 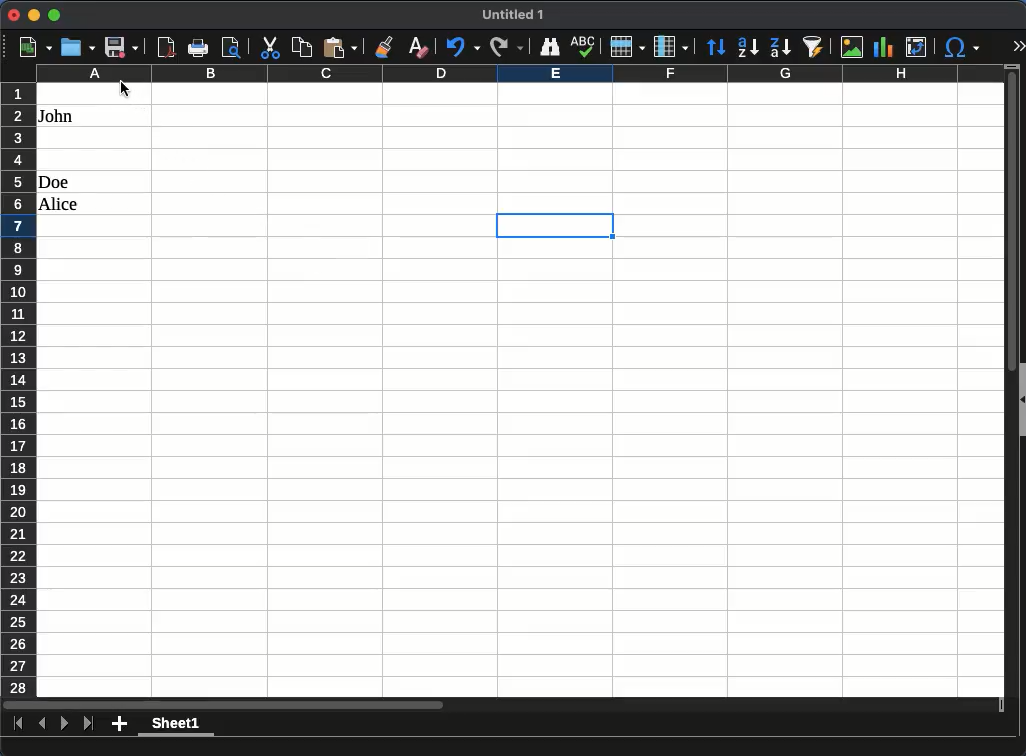 I want to click on ascending, so click(x=748, y=48).